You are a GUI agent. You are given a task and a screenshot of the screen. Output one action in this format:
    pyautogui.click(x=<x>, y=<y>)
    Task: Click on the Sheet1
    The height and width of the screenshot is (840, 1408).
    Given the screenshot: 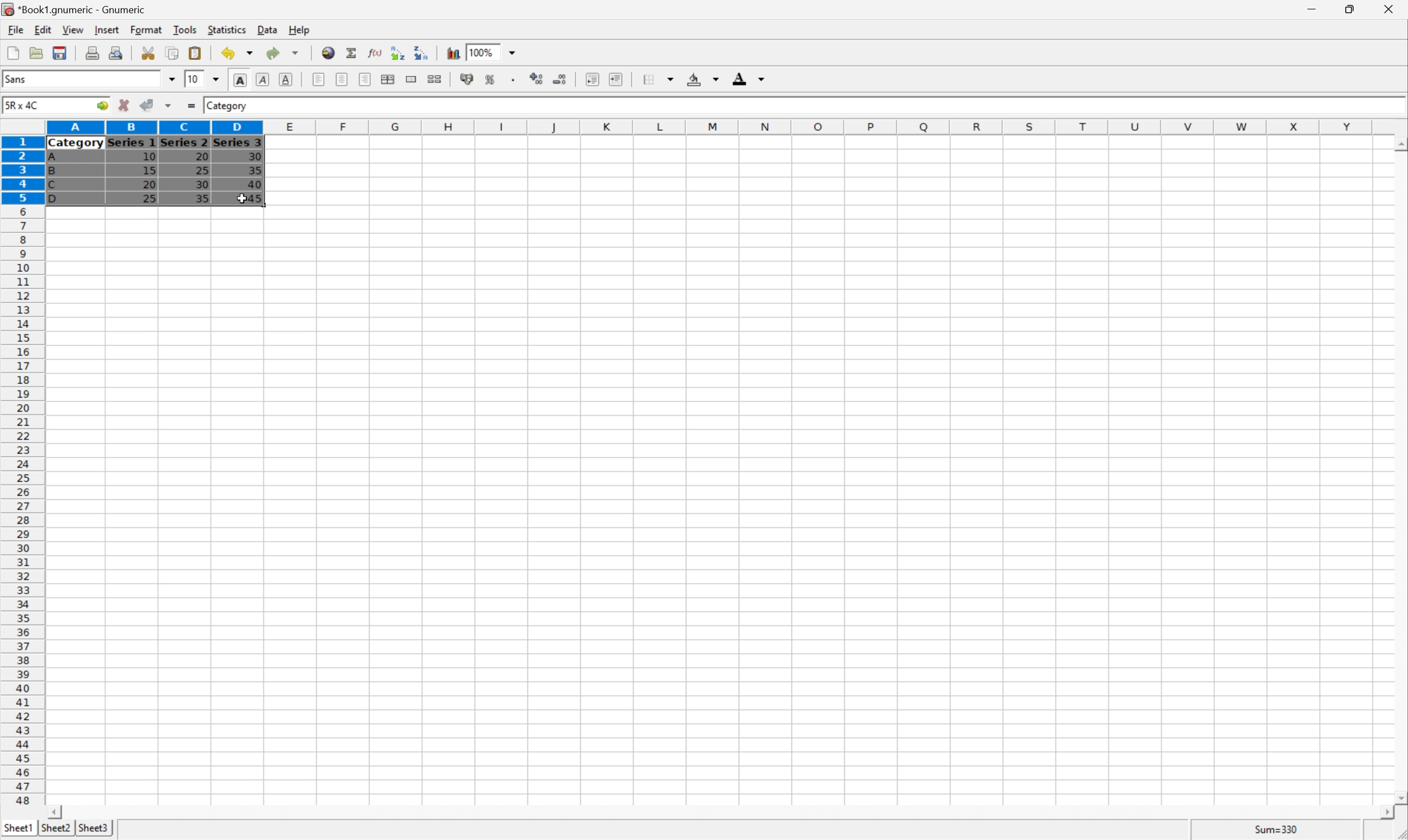 What is the action you would take?
    pyautogui.click(x=18, y=829)
    